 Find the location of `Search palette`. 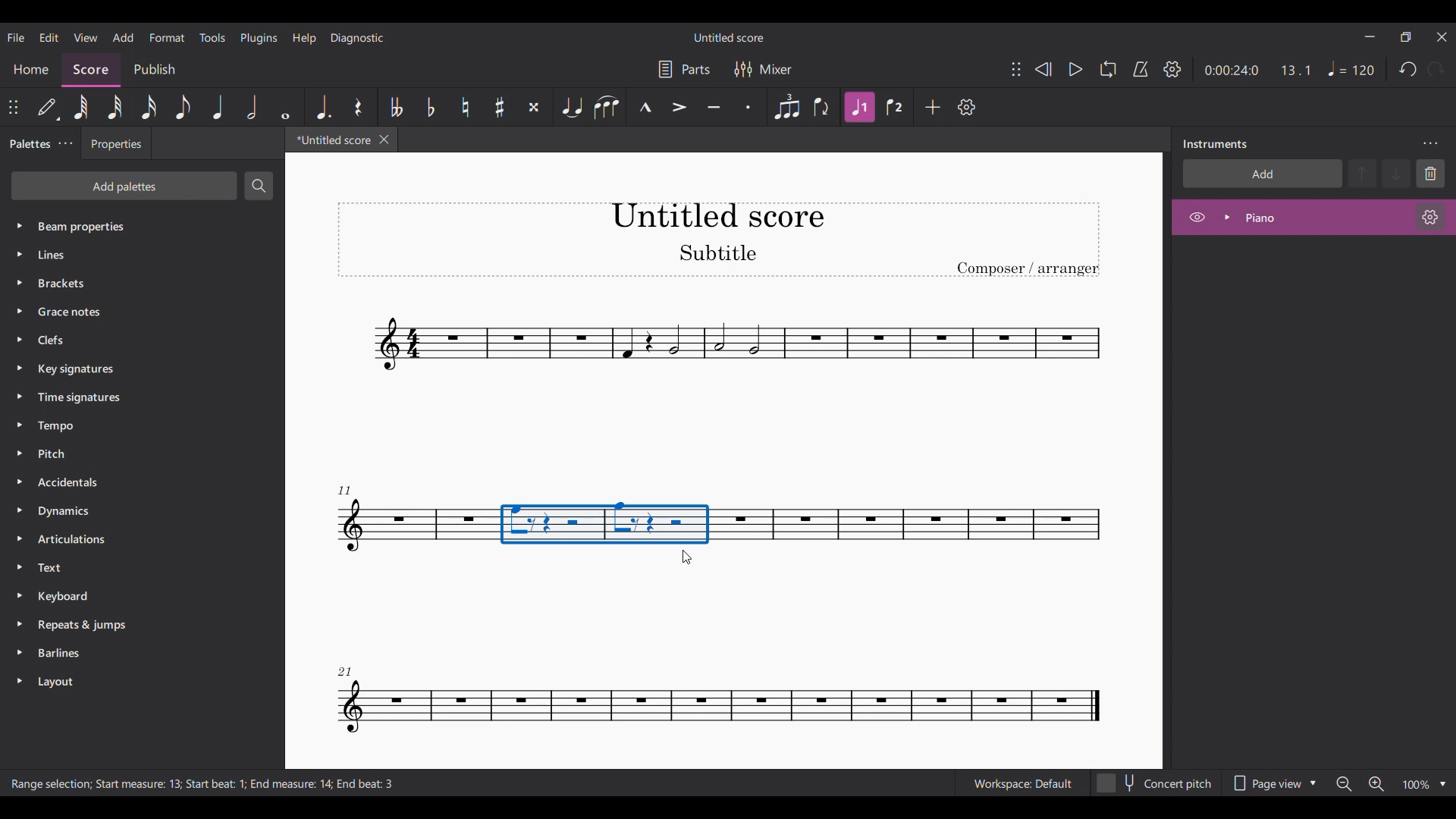

Search palette is located at coordinates (259, 185).